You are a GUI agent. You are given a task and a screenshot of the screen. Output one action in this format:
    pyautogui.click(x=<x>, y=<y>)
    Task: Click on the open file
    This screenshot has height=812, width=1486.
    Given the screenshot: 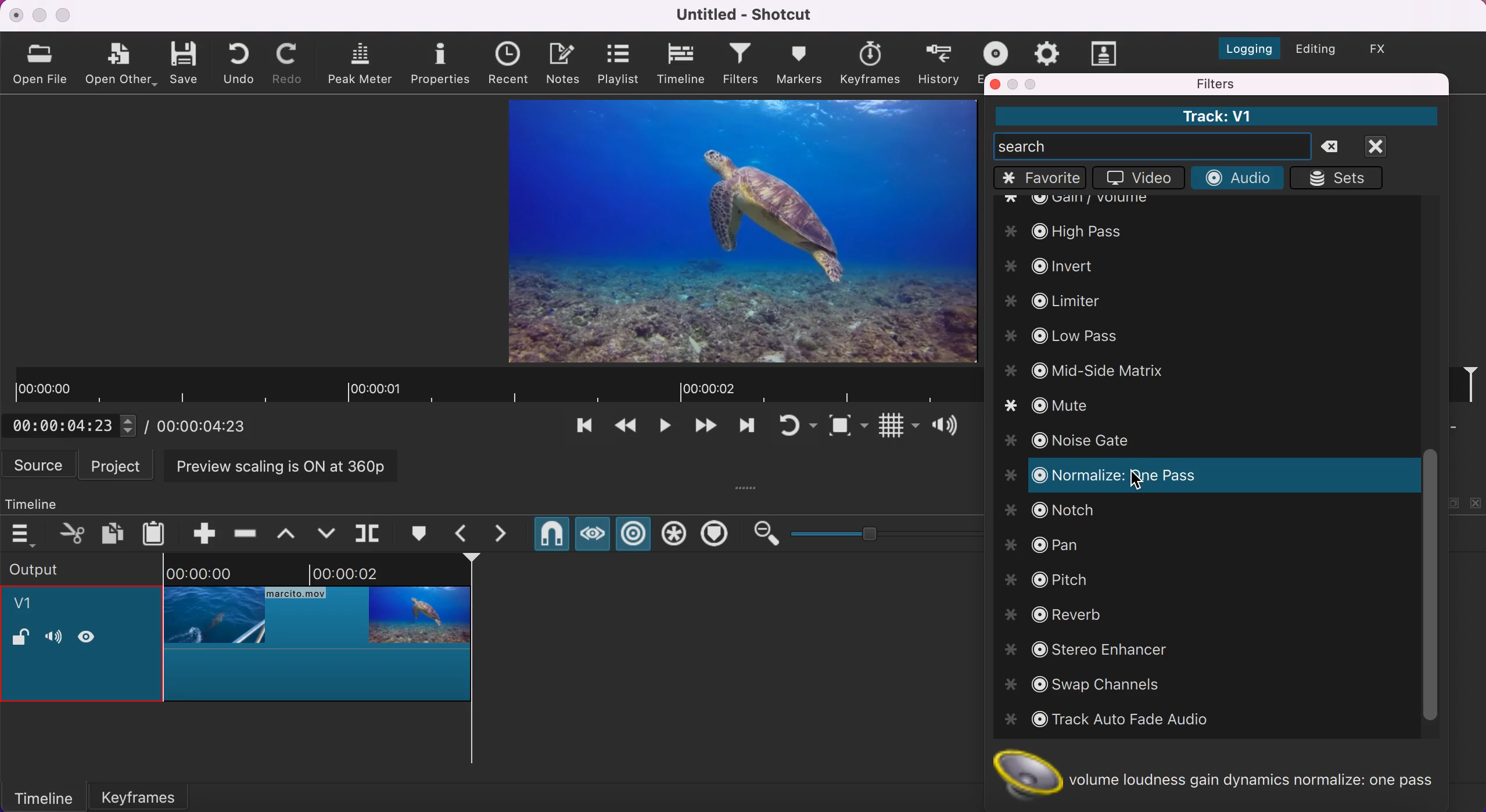 What is the action you would take?
    pyautogui.click(x=43, y=63)
    